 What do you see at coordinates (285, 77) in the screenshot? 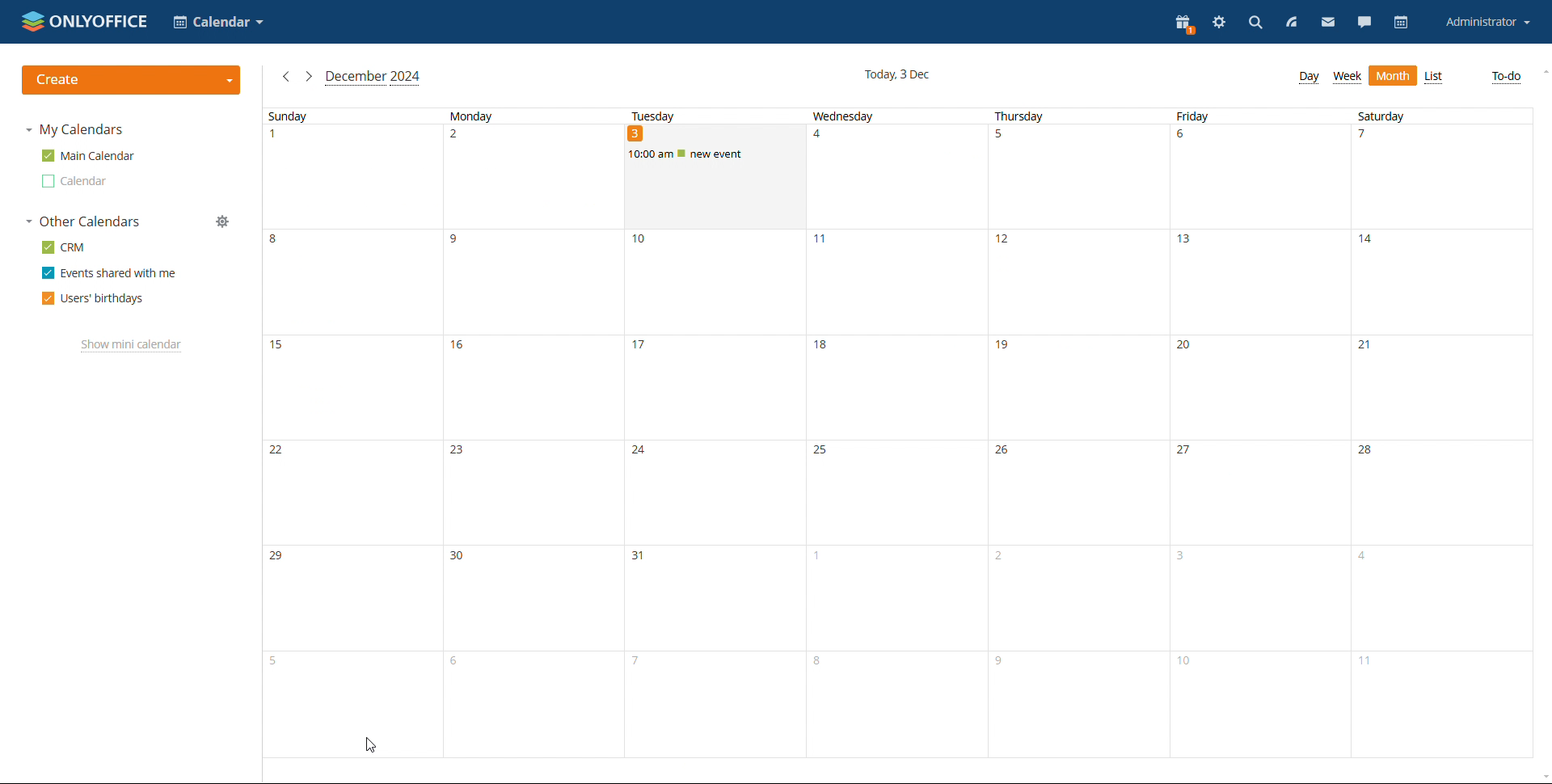
I see `previous month` at bounding box center [285, 77].